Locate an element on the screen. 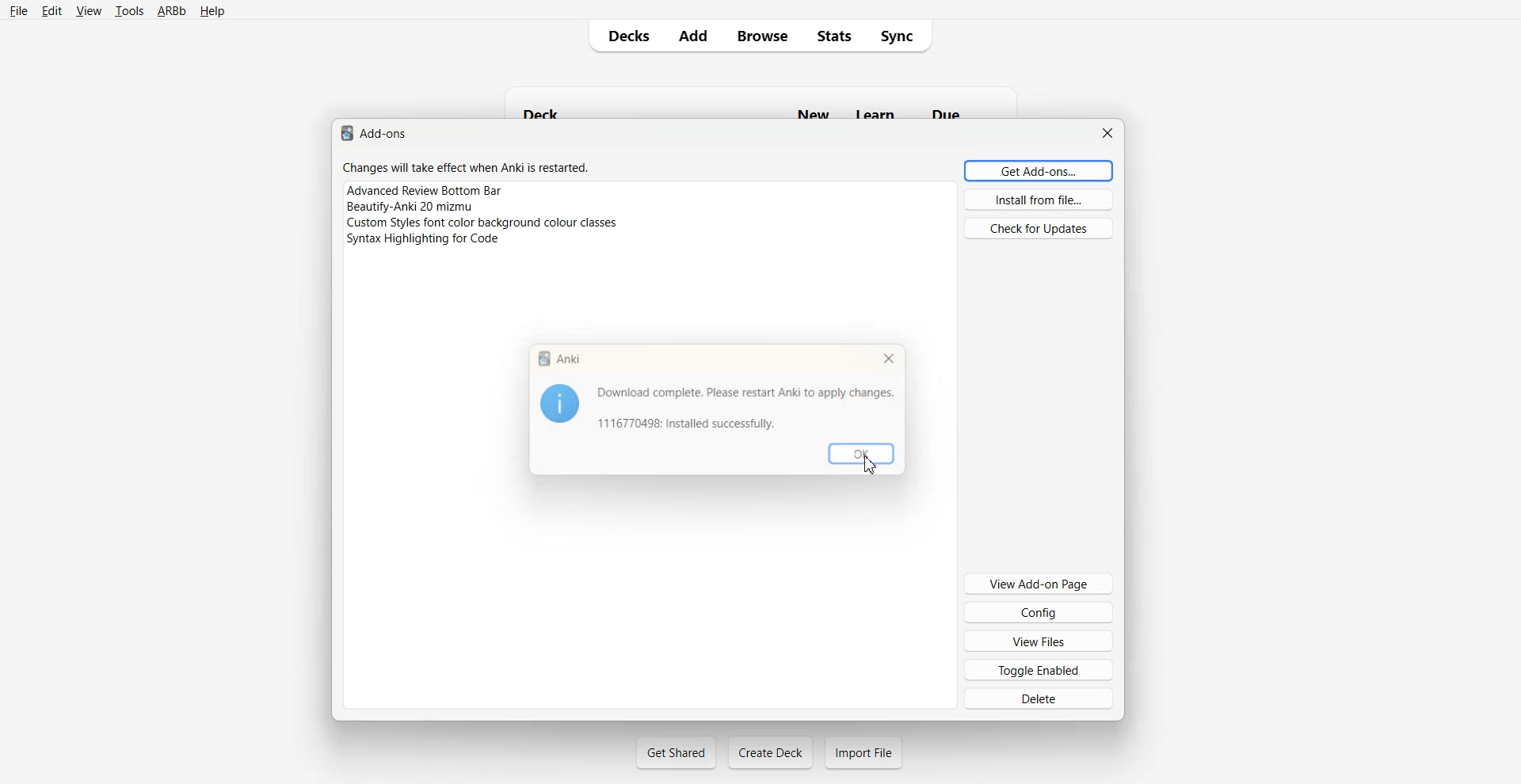 This screenshot has width=1521, height=784. Decks is located at coordinates (623, 35).